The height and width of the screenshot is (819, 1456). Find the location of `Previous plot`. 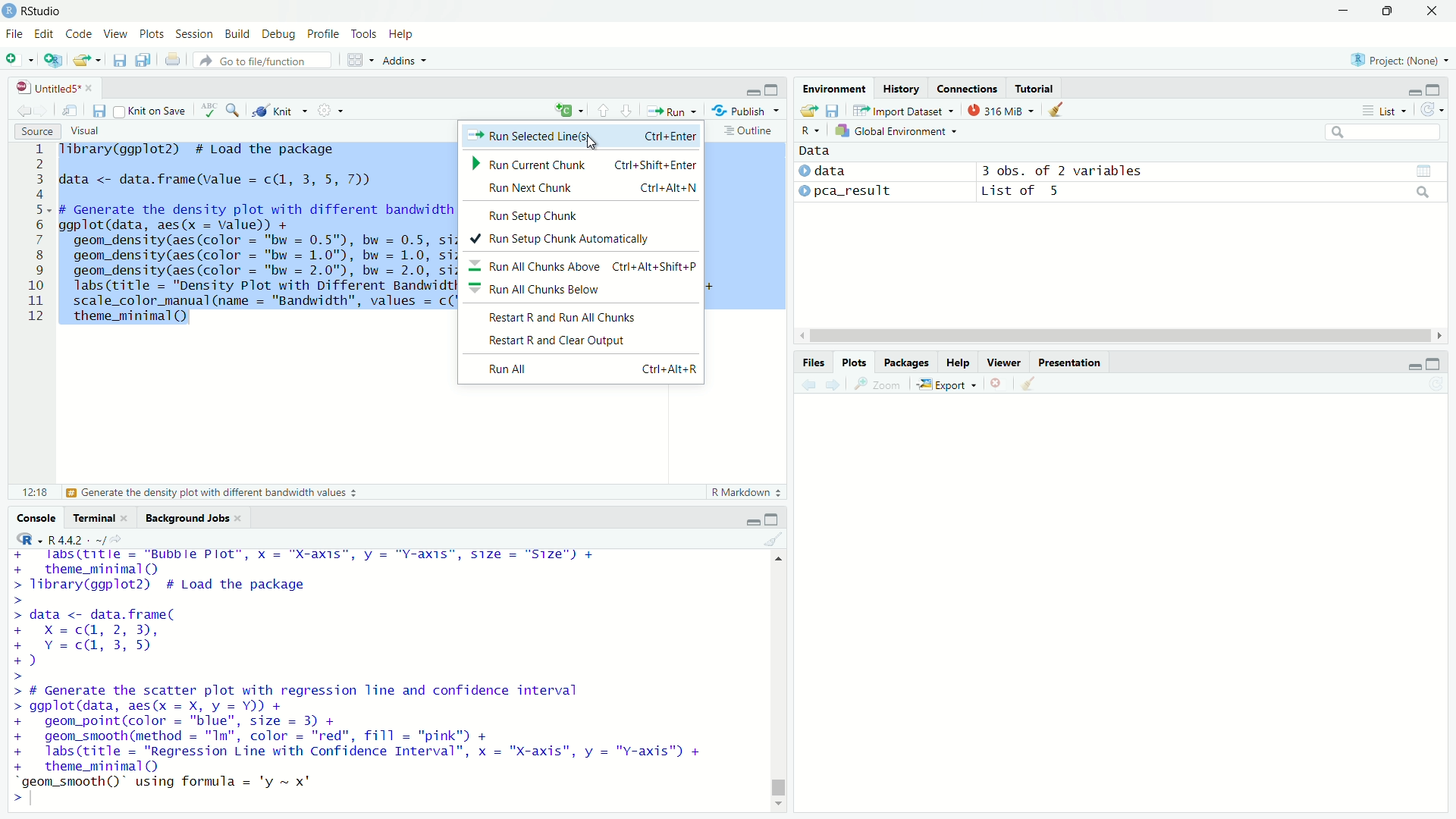

Previous plot is located at coordinates (808, 384).